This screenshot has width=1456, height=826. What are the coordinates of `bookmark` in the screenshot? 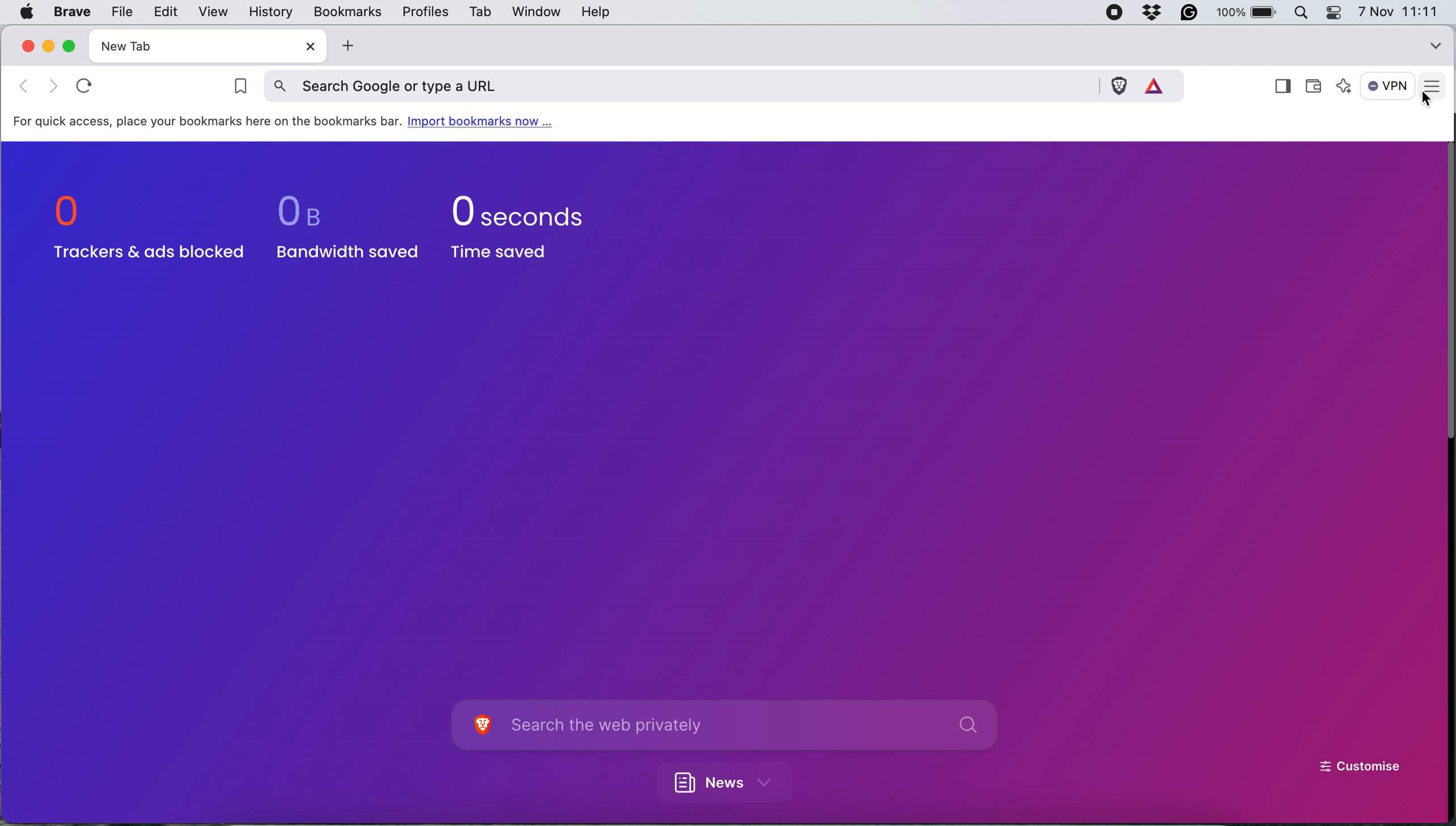 It's located at (235, 88).